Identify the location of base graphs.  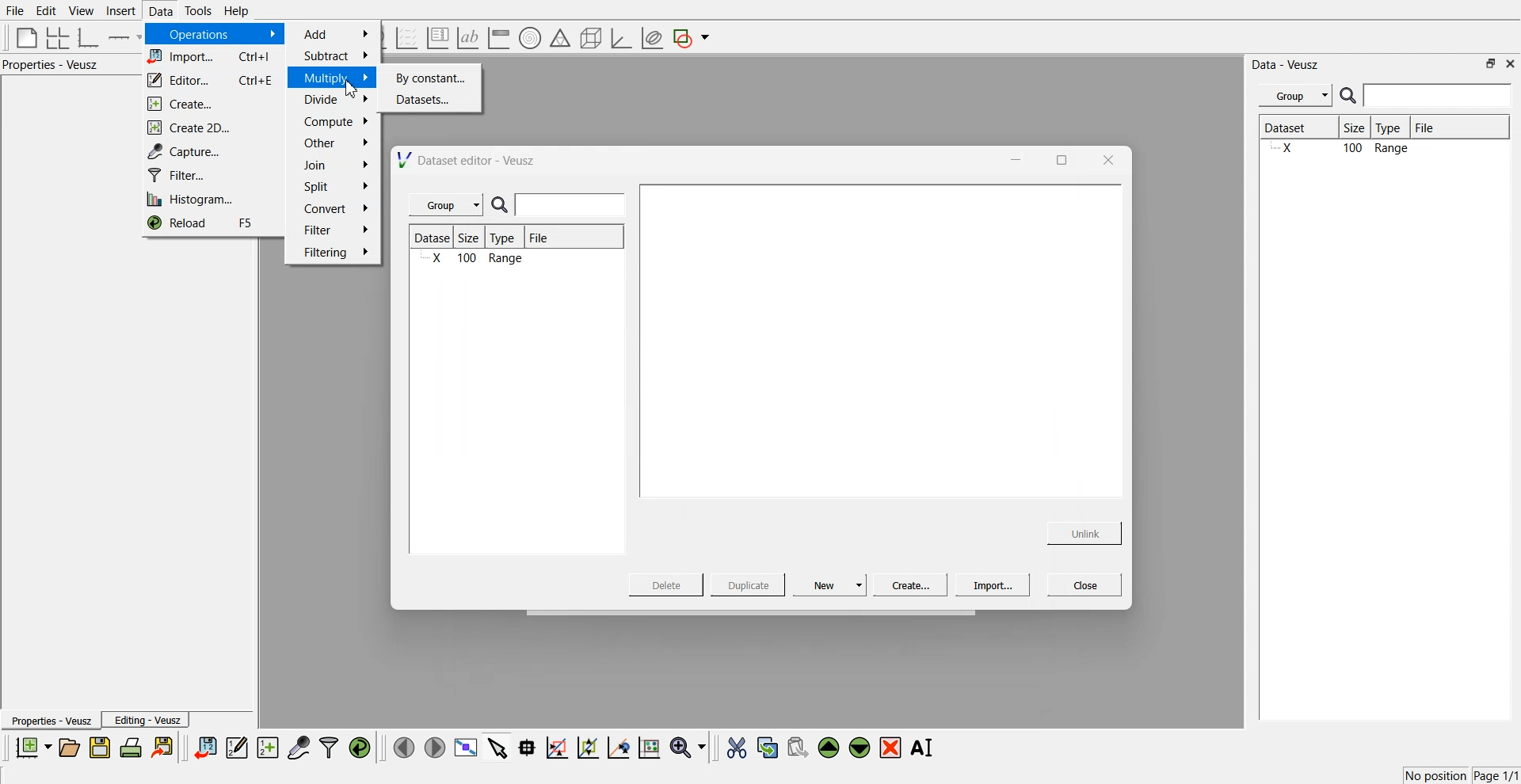
(90, 37).